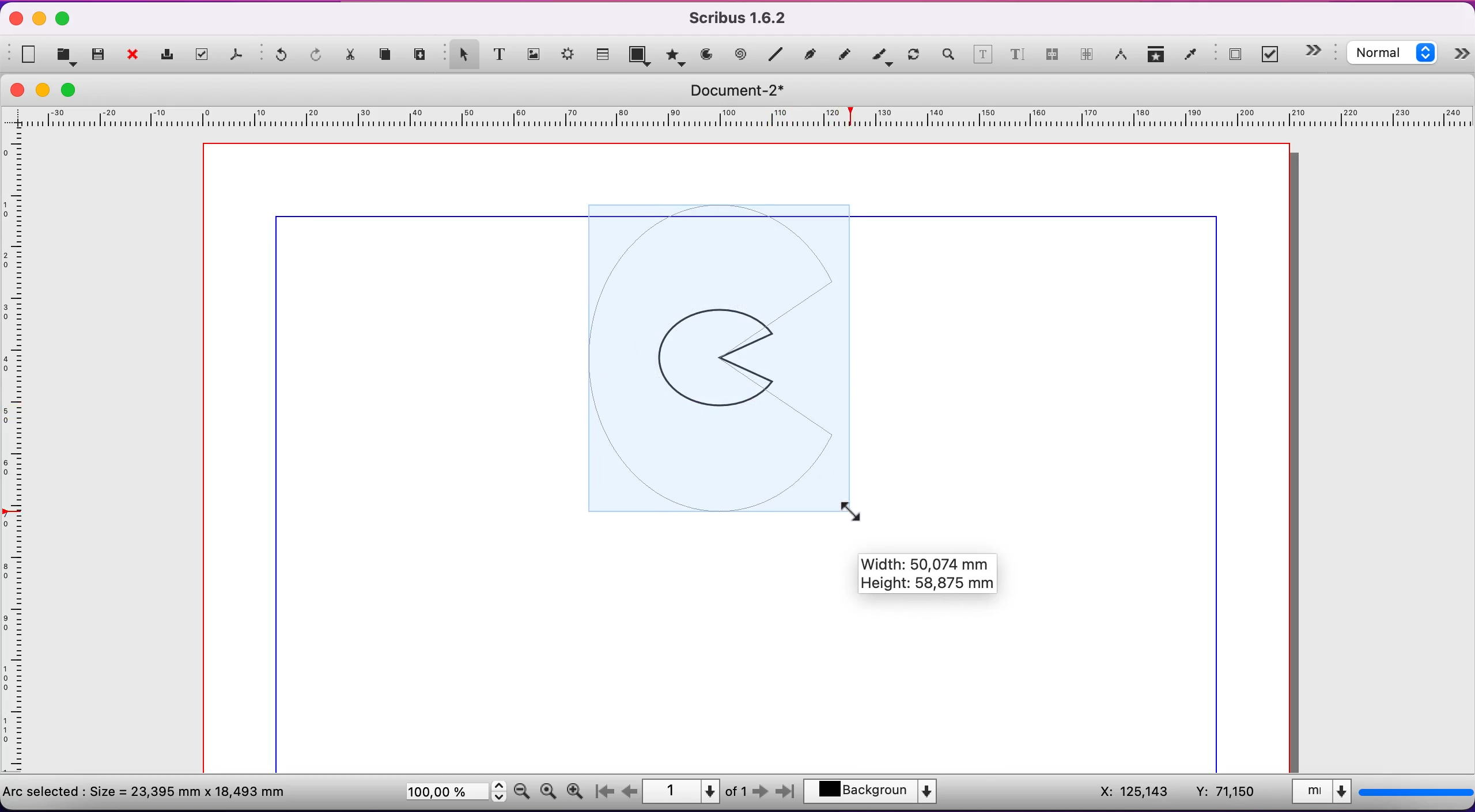 This screenshot has height=812, width=1475. Describe the element at coordinates (422, 55) in the screenshot. I see `paste` at that location.